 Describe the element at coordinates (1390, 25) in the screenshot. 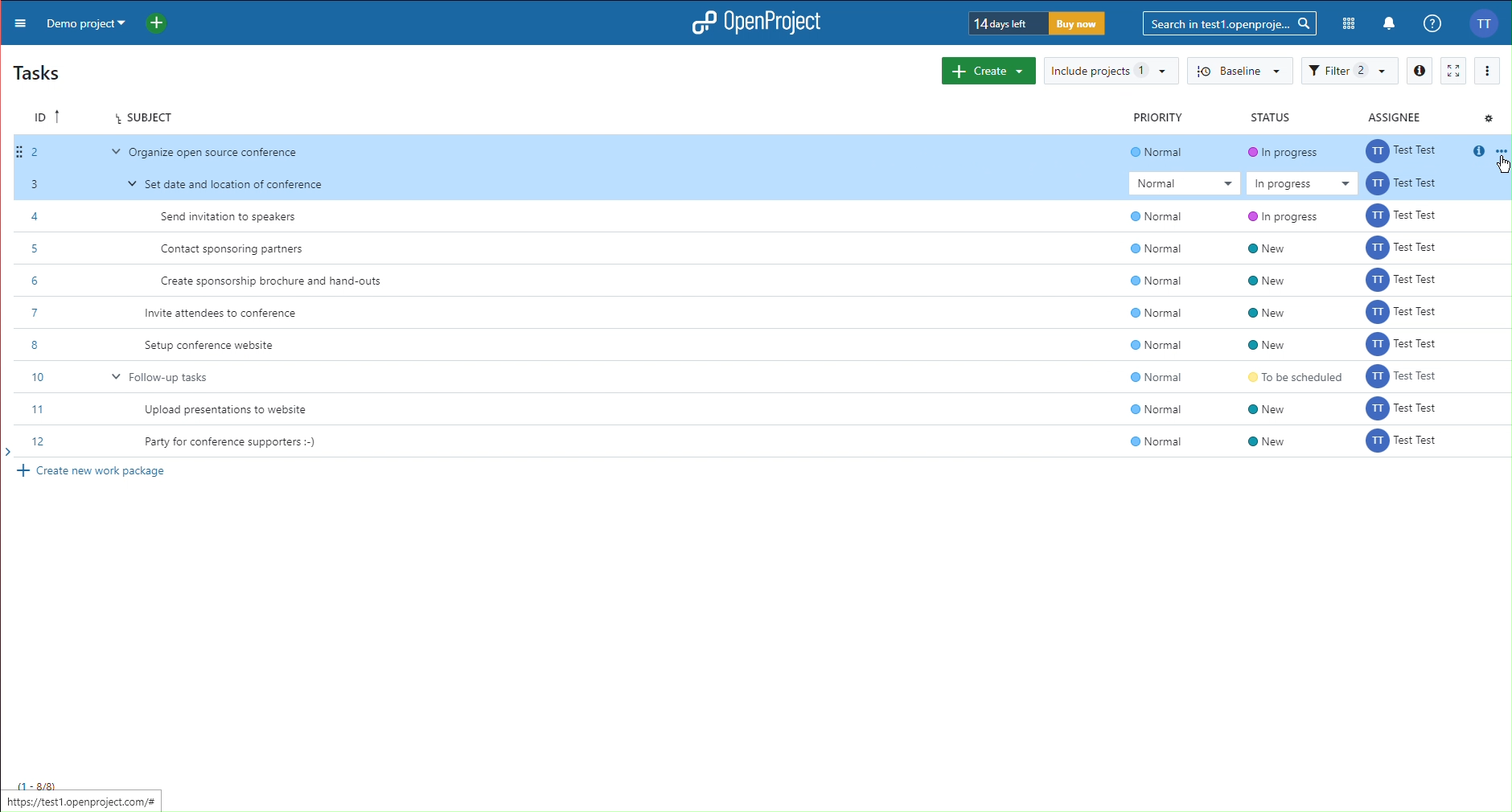

I see `Notification` at that location.